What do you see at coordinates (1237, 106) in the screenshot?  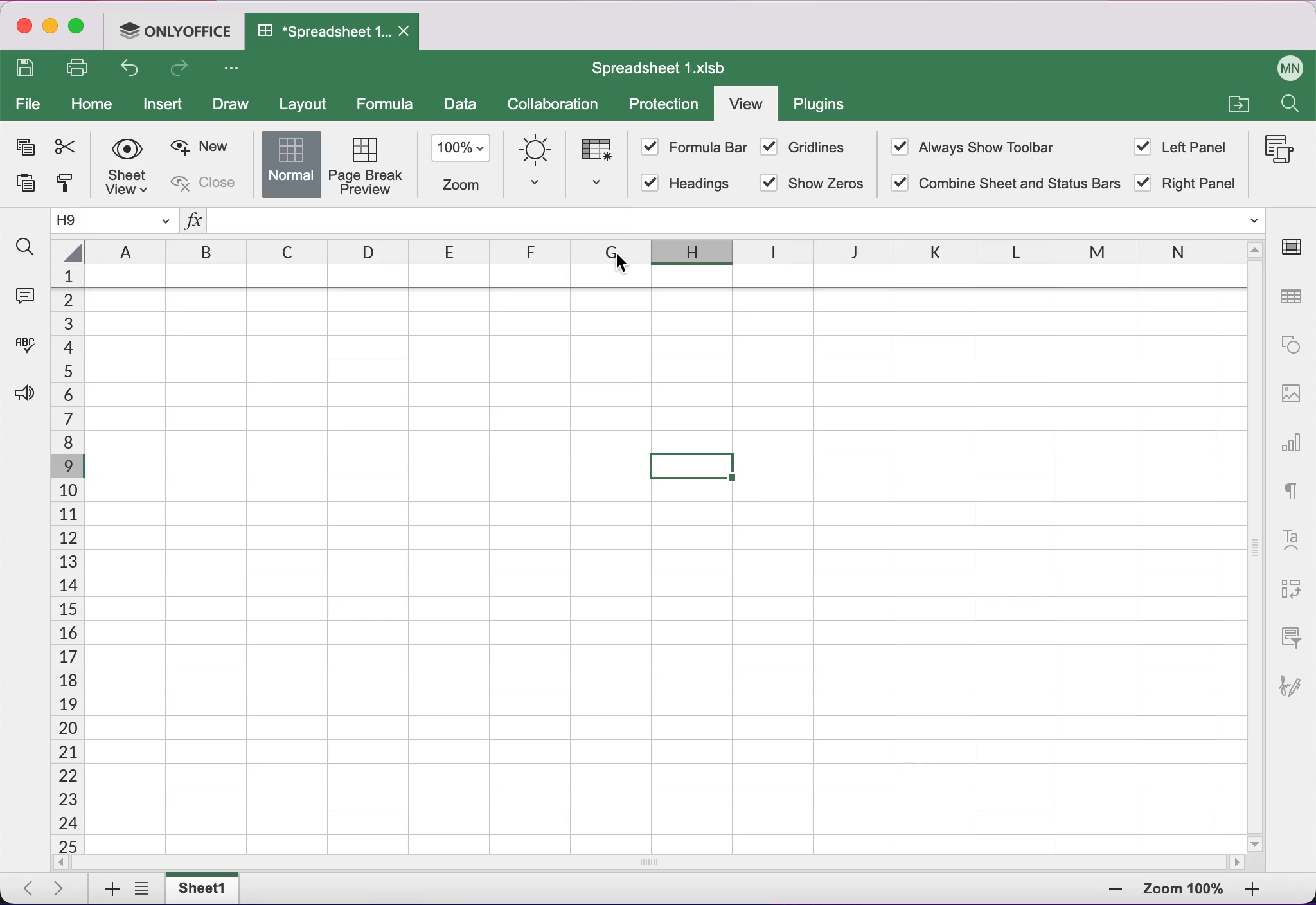 I see `file a collection` at bounding box center [1237, 106].